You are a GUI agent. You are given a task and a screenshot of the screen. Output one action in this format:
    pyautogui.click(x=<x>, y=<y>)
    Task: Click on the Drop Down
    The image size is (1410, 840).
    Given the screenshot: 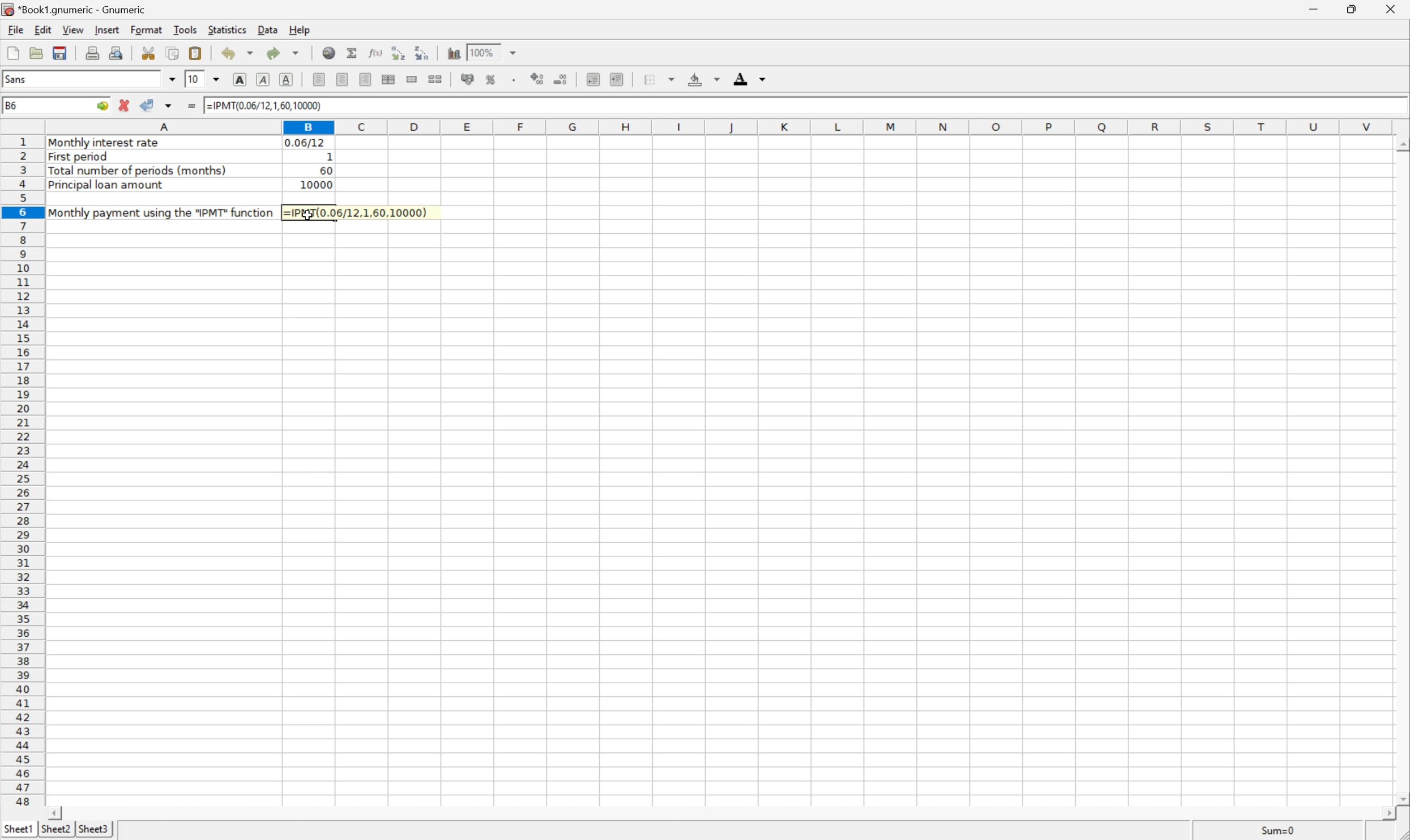 What is the action you would take?
    pyautogui.click(x=173, y=79)
    